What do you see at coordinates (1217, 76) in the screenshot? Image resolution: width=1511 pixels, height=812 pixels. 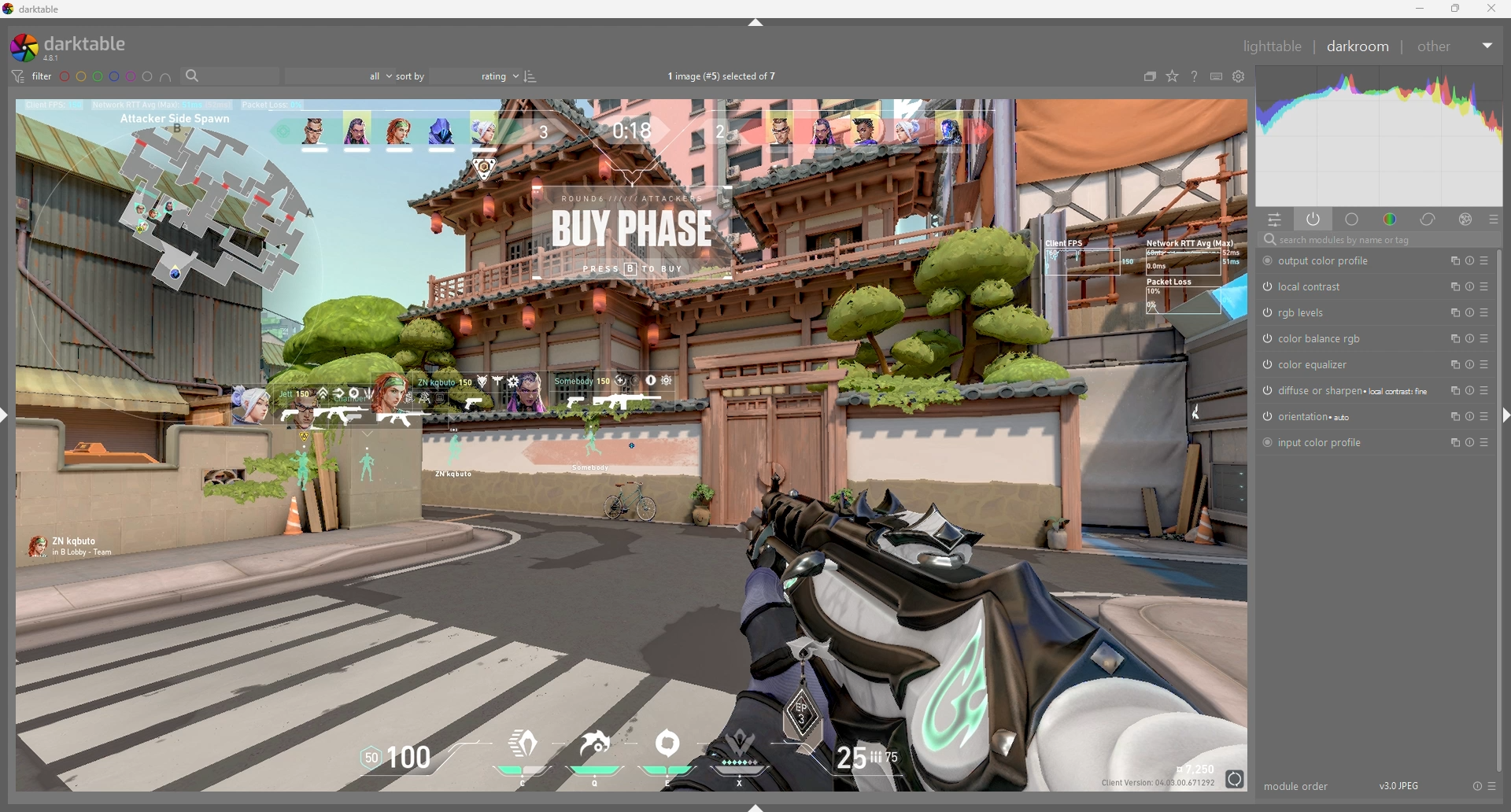 I see `keyboard shortcuts` at bounding box center [1217, 76].